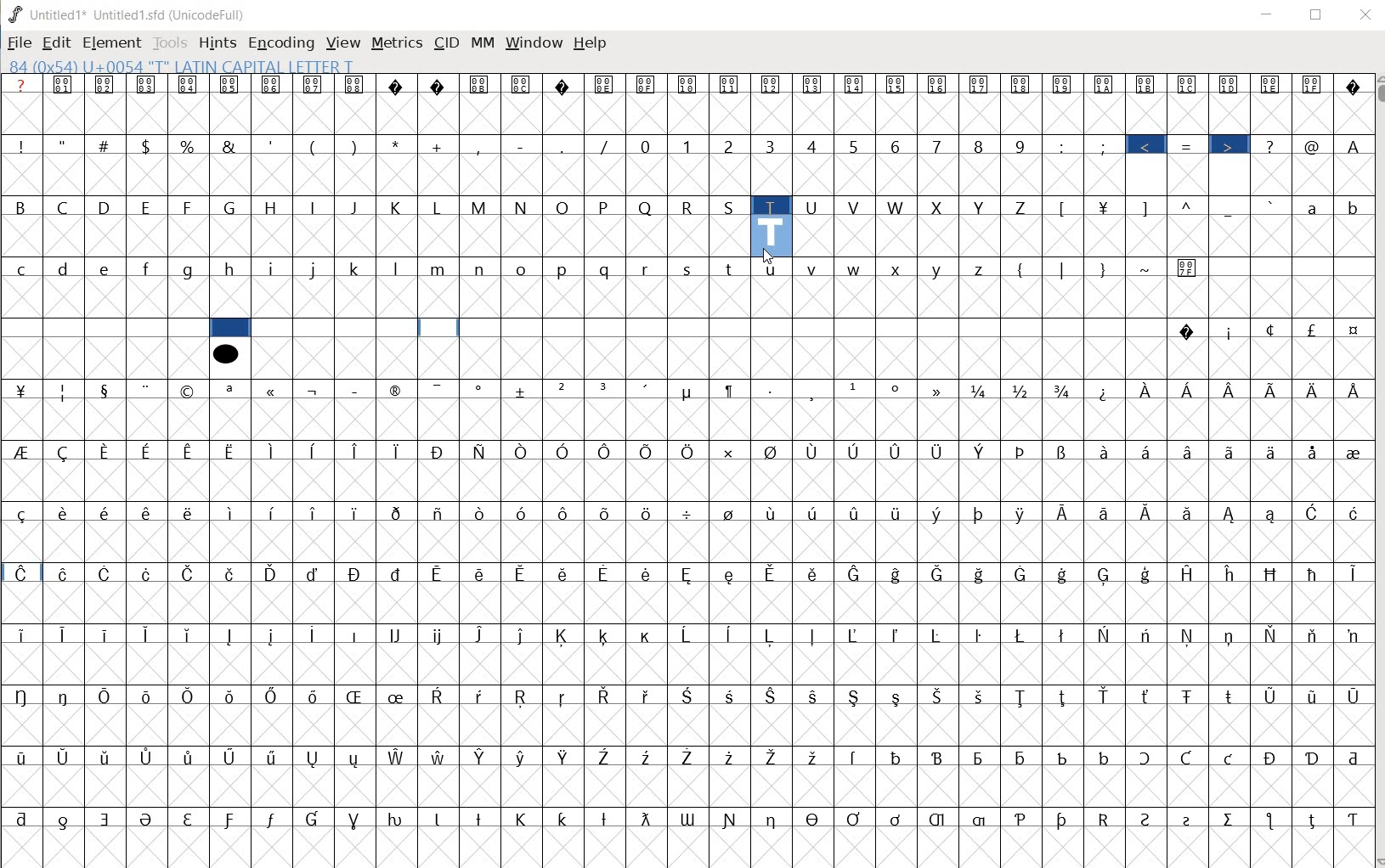 The image size is (1385, 868). What do you see at coordinates (1025, 757) in the screenshot?
I see `Symbol` at bounding box center [1025, 757].